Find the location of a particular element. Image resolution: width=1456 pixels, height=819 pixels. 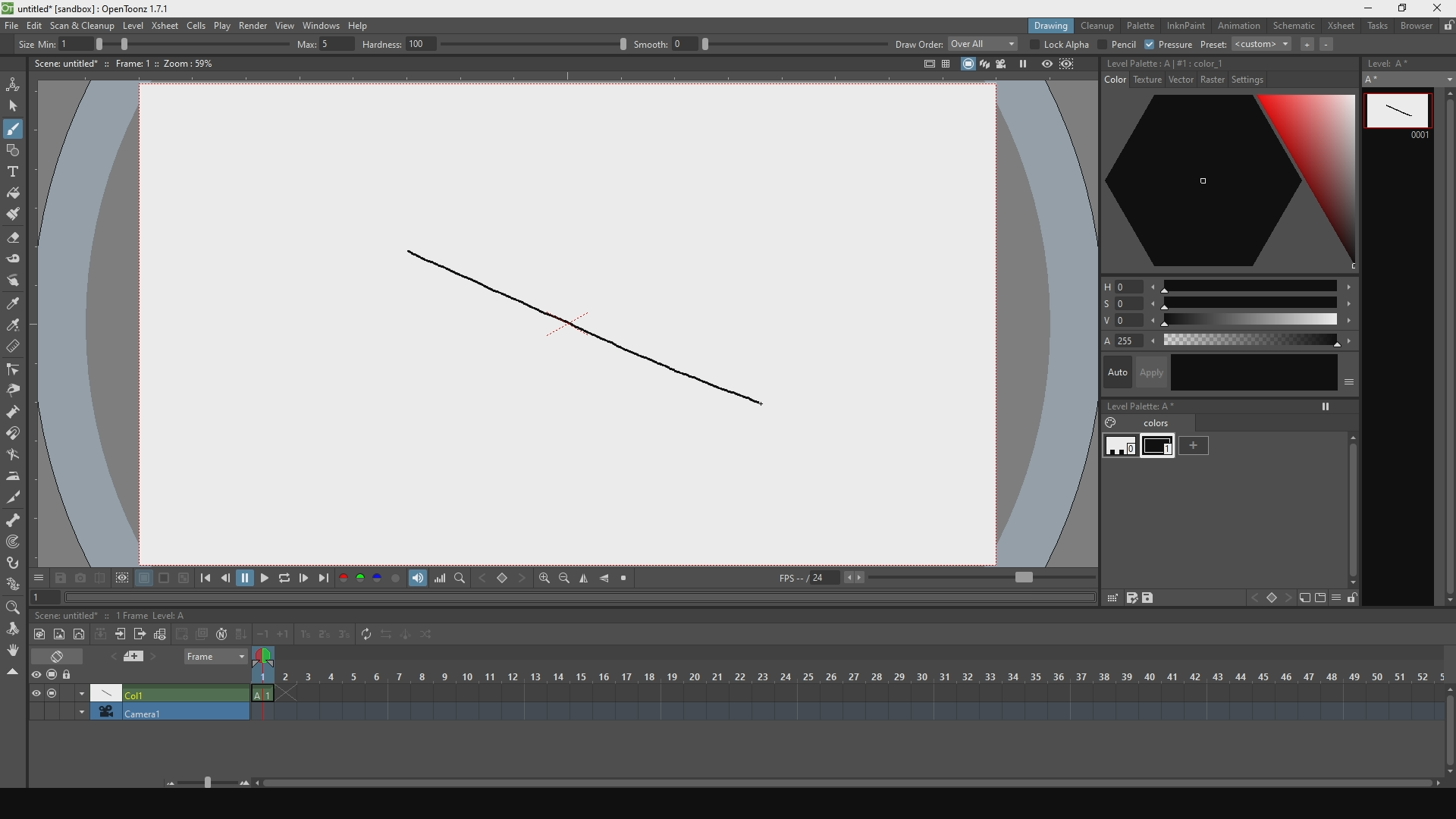

previous and next file is located at coordinates (140, 657).